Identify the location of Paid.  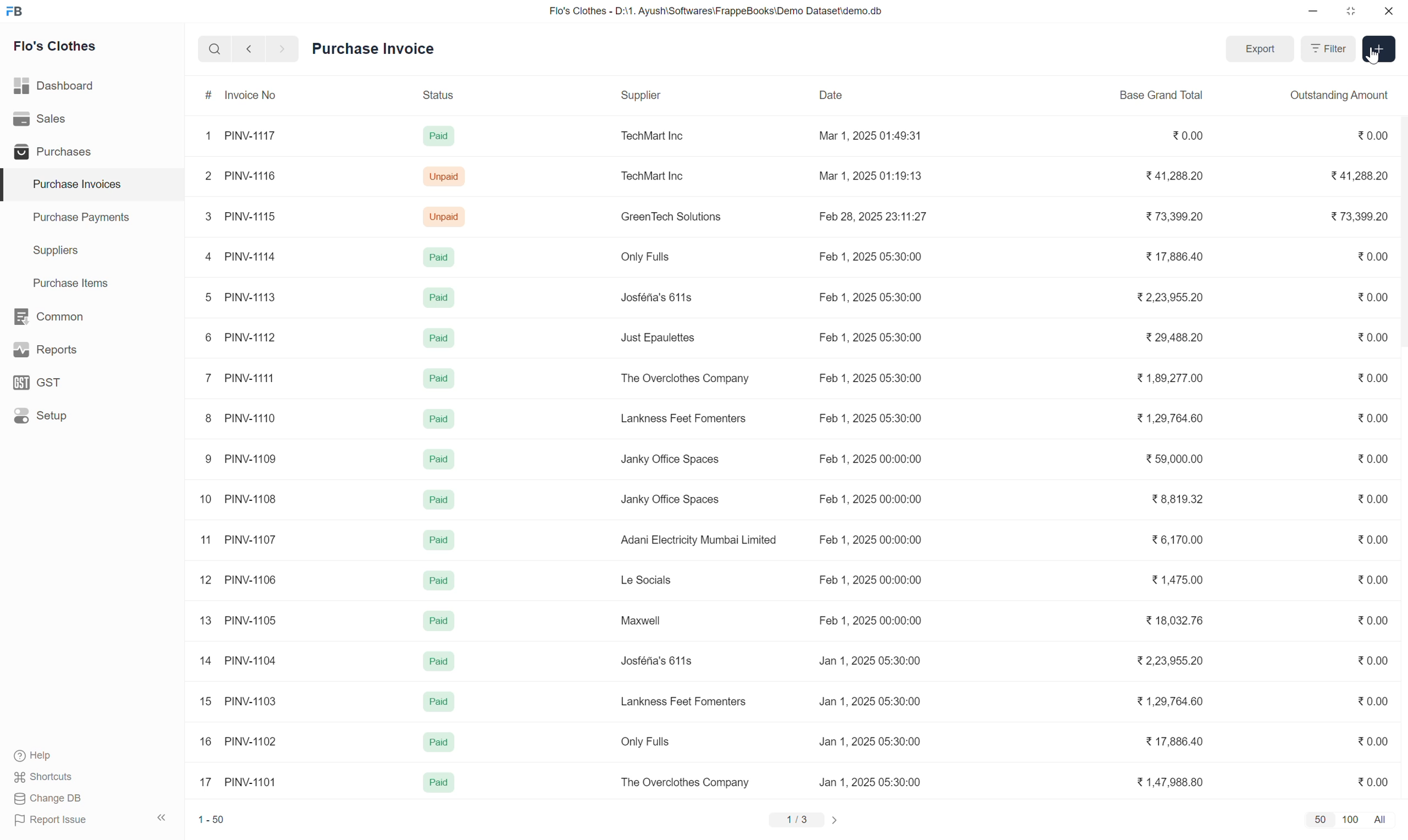
(439, 298).